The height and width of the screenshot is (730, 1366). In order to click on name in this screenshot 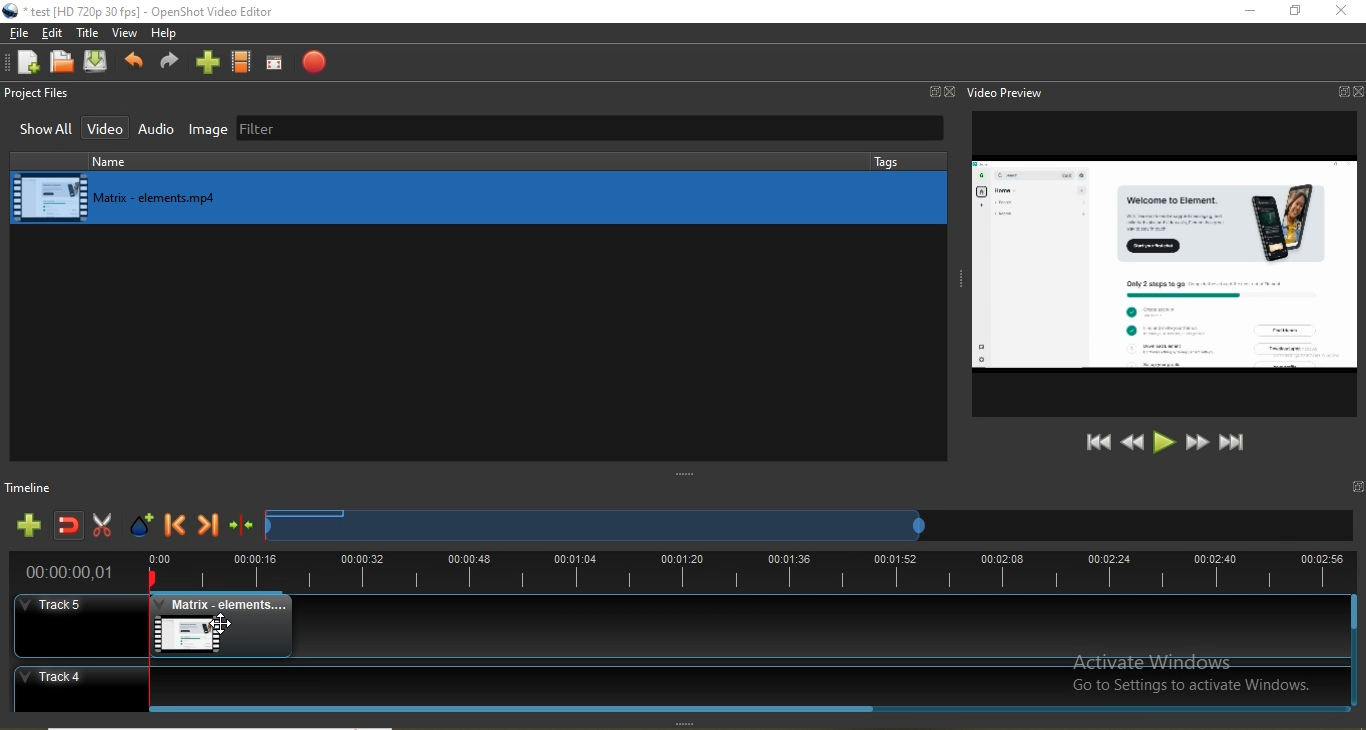, I will do `click(160, 161)`.